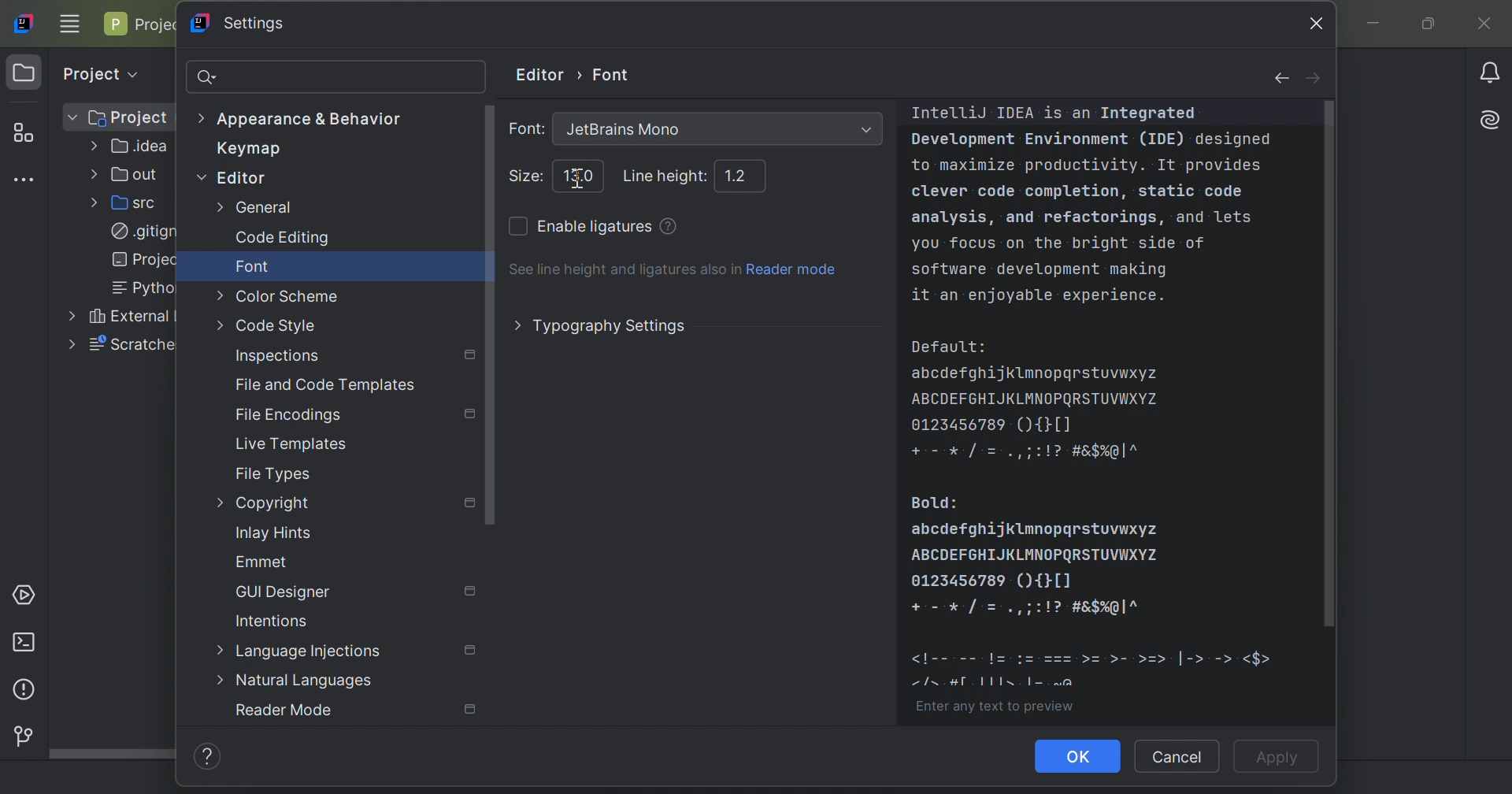  Describe the element at coordinates (470, 414) in the screenshot. I see `Settings marked with this icon are only applied to the current project. Non-marked settings are applied to all projects.` at that location.